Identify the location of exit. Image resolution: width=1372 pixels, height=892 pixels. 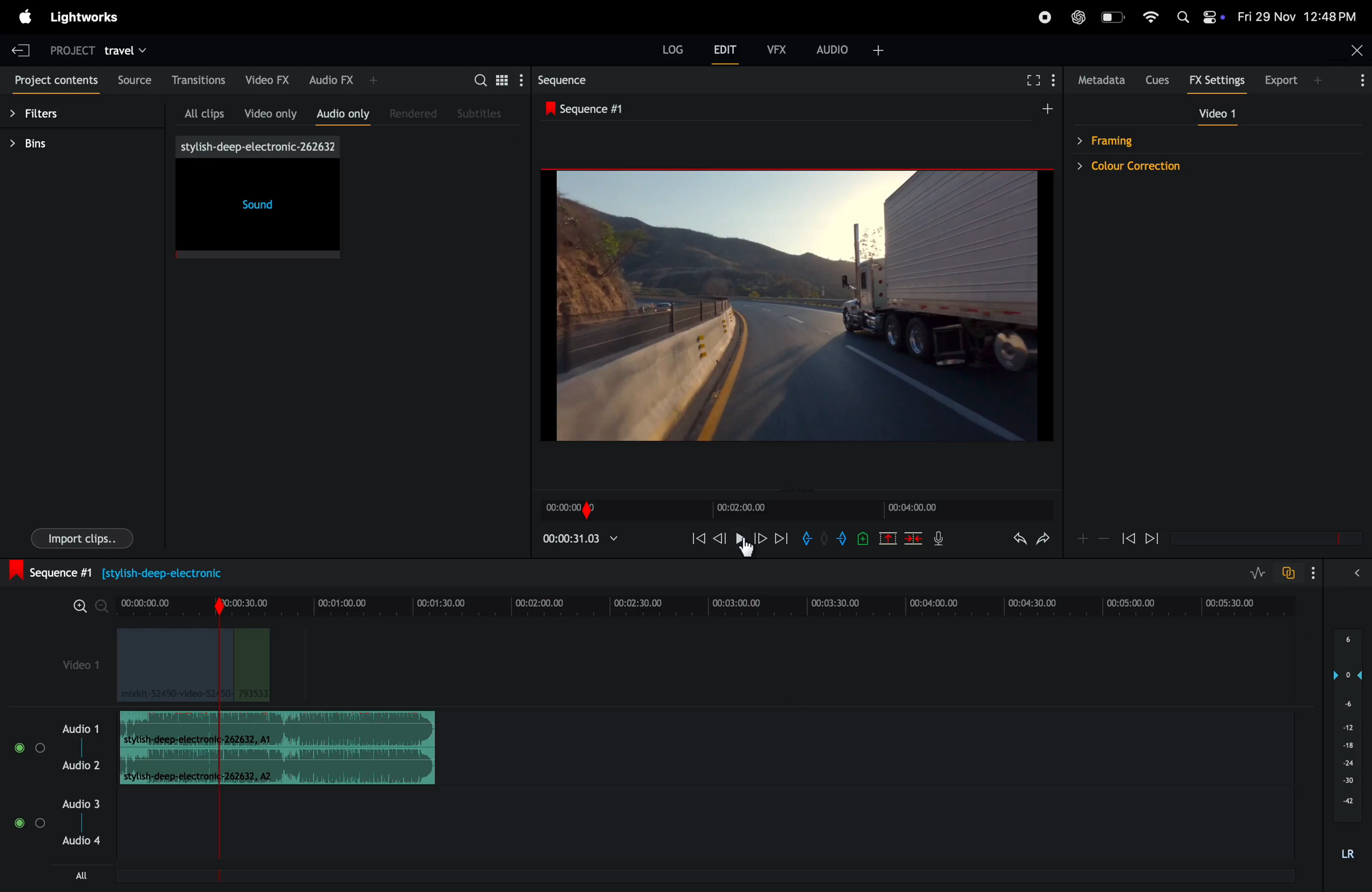
(21, 47).